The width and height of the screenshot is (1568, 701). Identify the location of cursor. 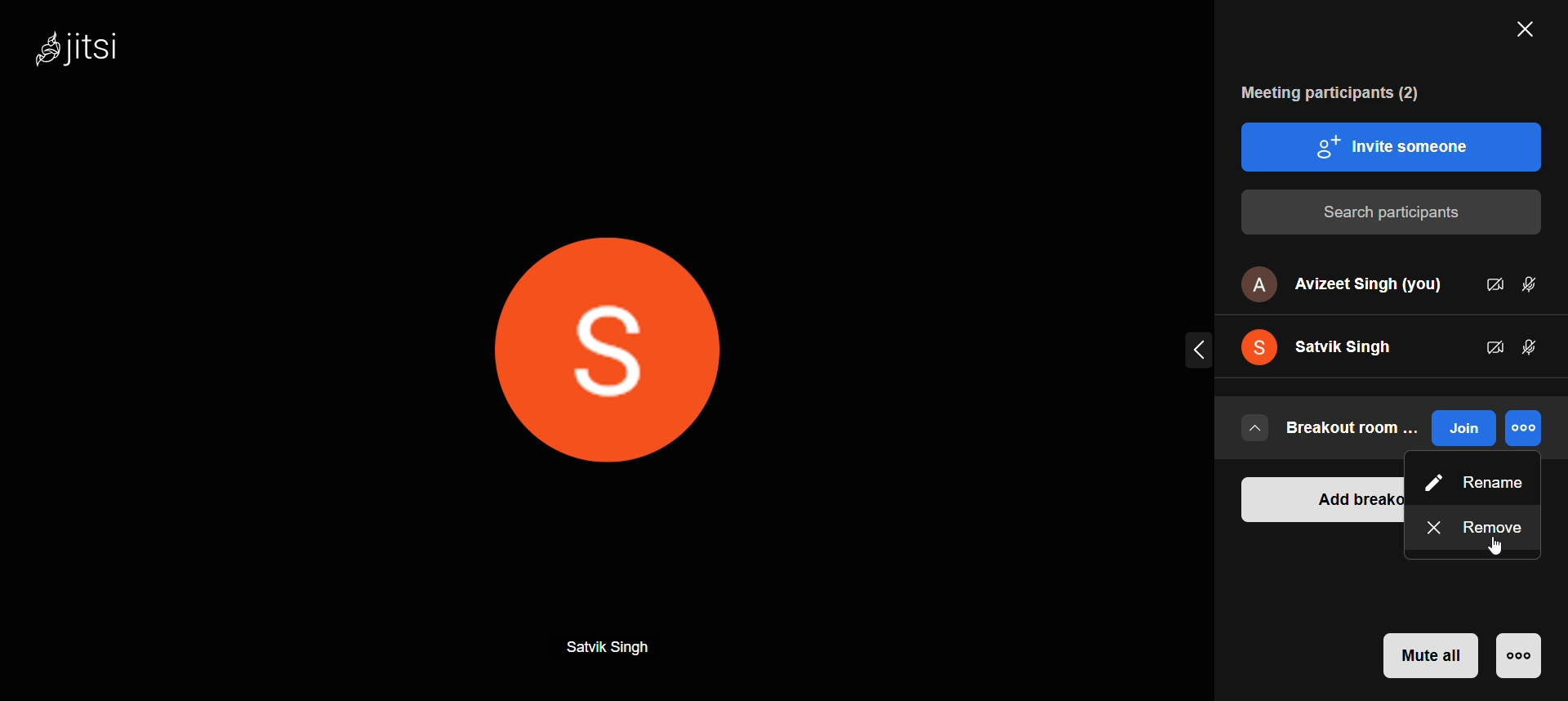
(1480, 549).